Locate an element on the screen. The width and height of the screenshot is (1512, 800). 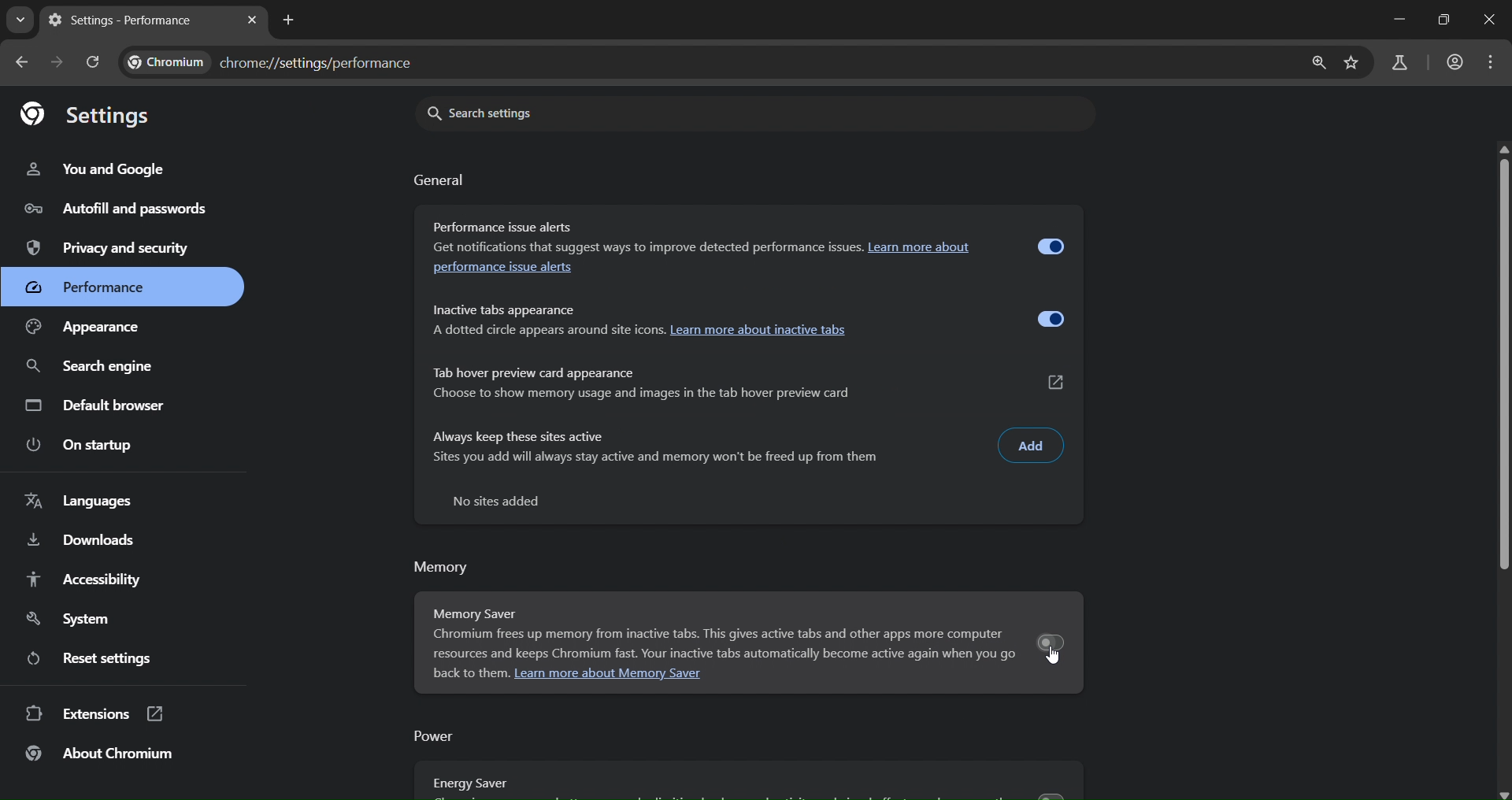
bookmark page is located at coordinates (1352, 65).